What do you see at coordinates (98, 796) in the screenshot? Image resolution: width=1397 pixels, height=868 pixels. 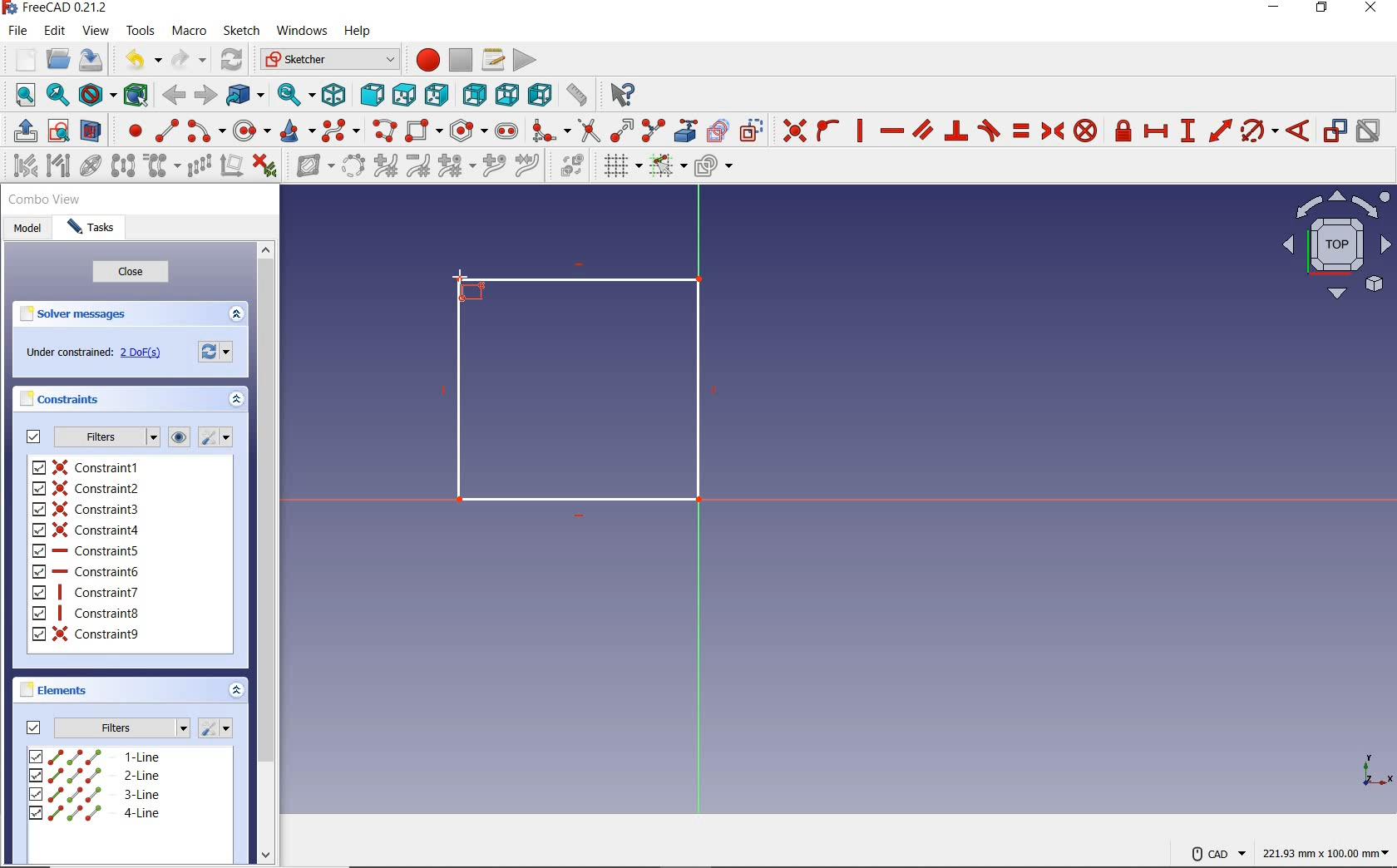 I see `3-line` at bounding box center [98, 796].